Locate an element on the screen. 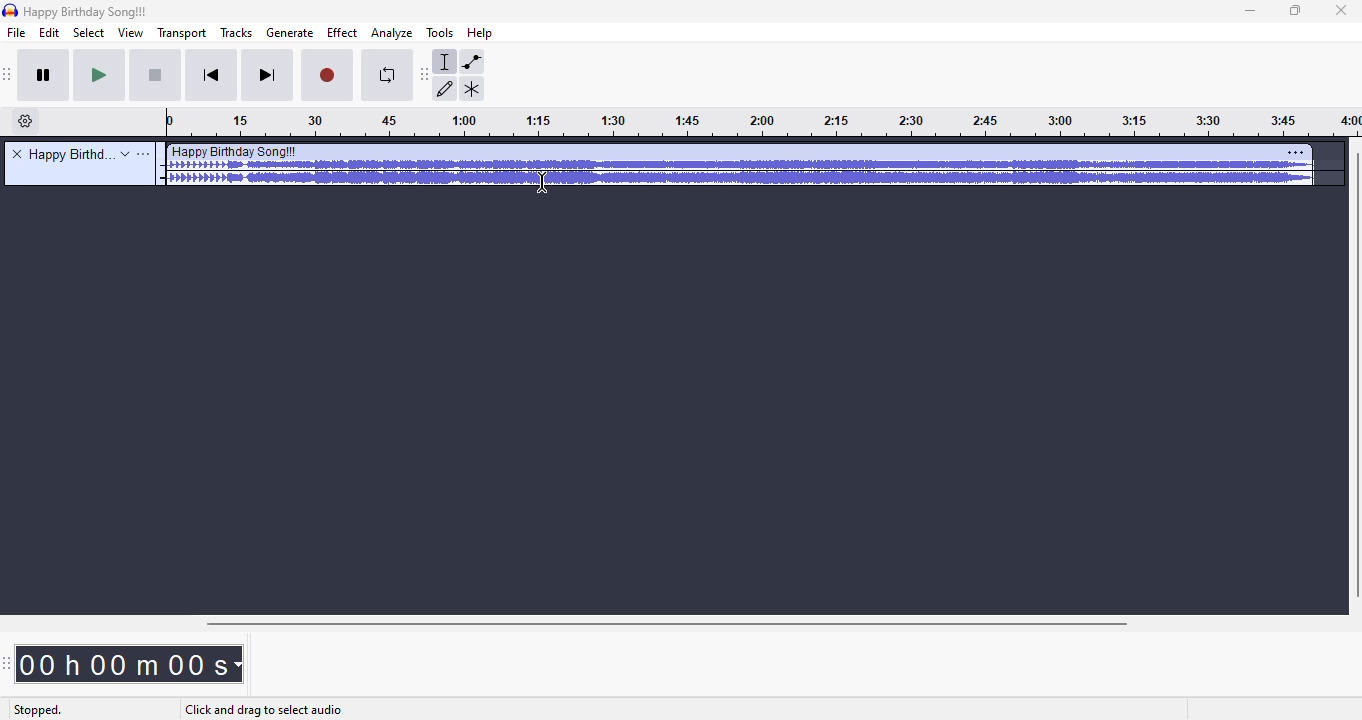 The image size is (1362, 720). generate is located at coordinates (290, 33).